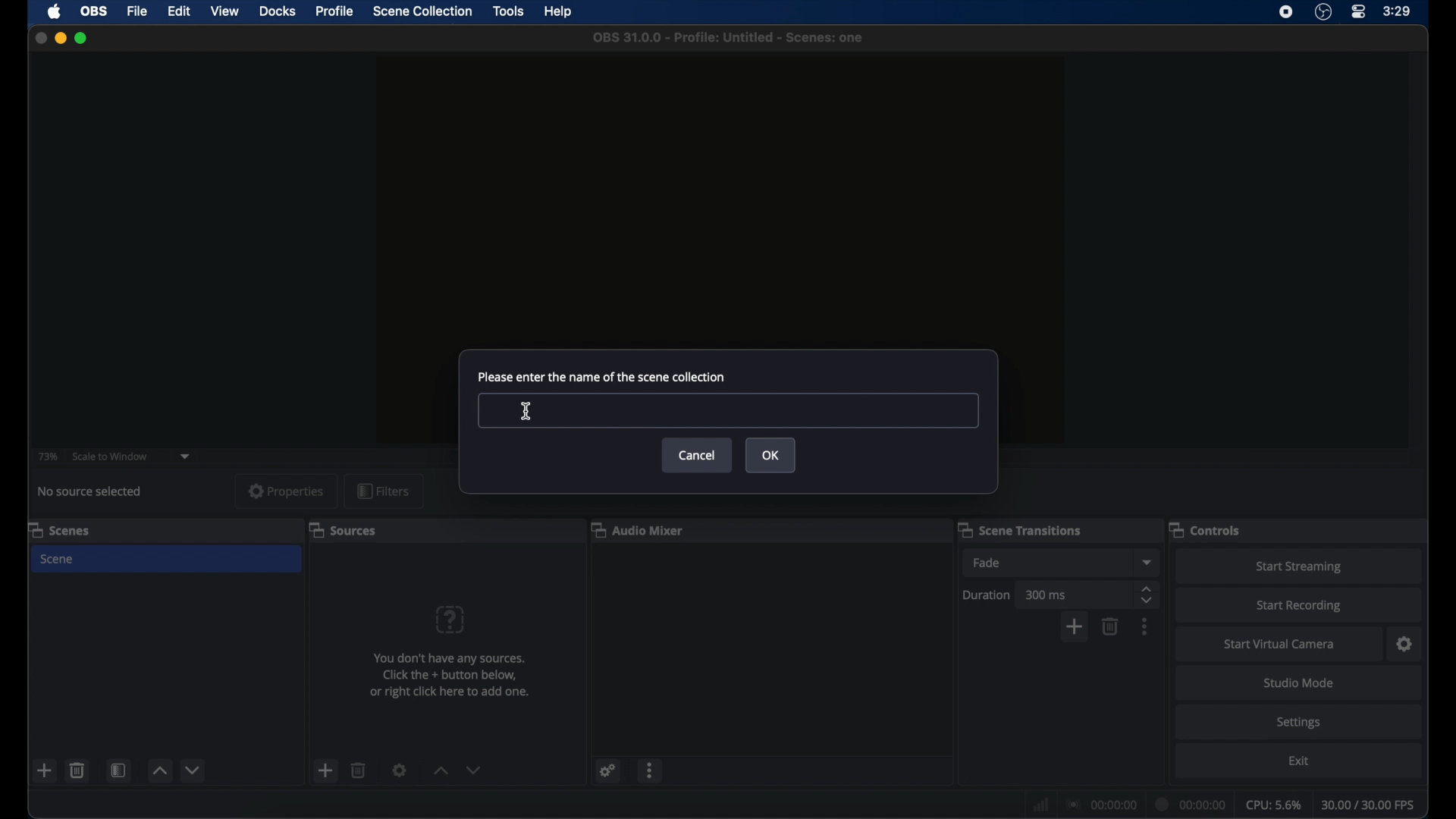 This screenshot has width=1456, height=819. What do you see at coordinates (1110, 626) in the screenshot?
I see `delete` at bounding box center [1110, 626].